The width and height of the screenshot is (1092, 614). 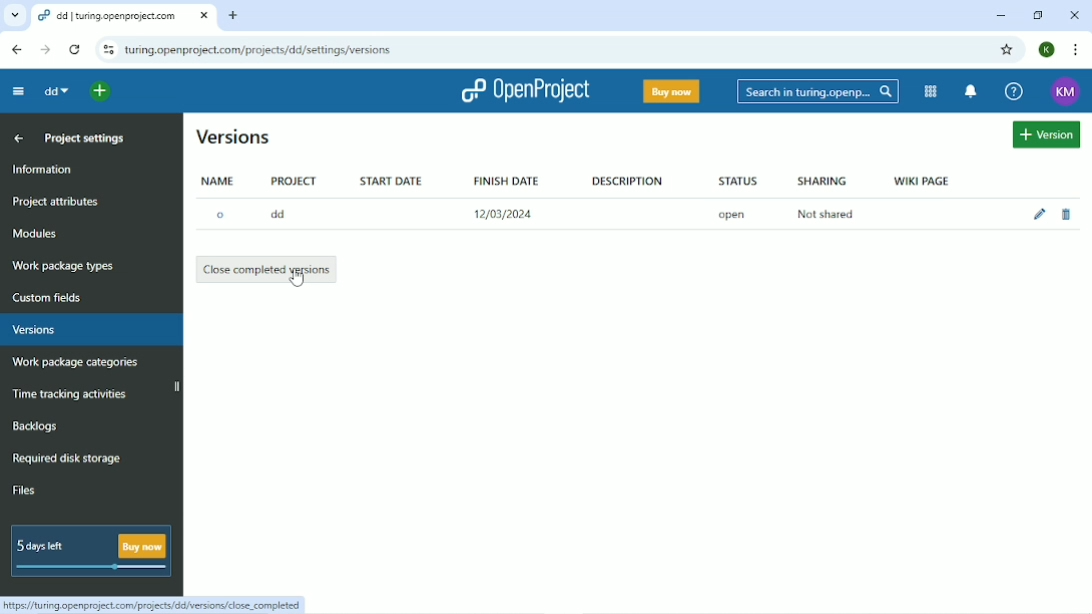 What do you see at coordinates (220, 180) in the screenshot?
I see `Name` at bounding box center [220, 180].